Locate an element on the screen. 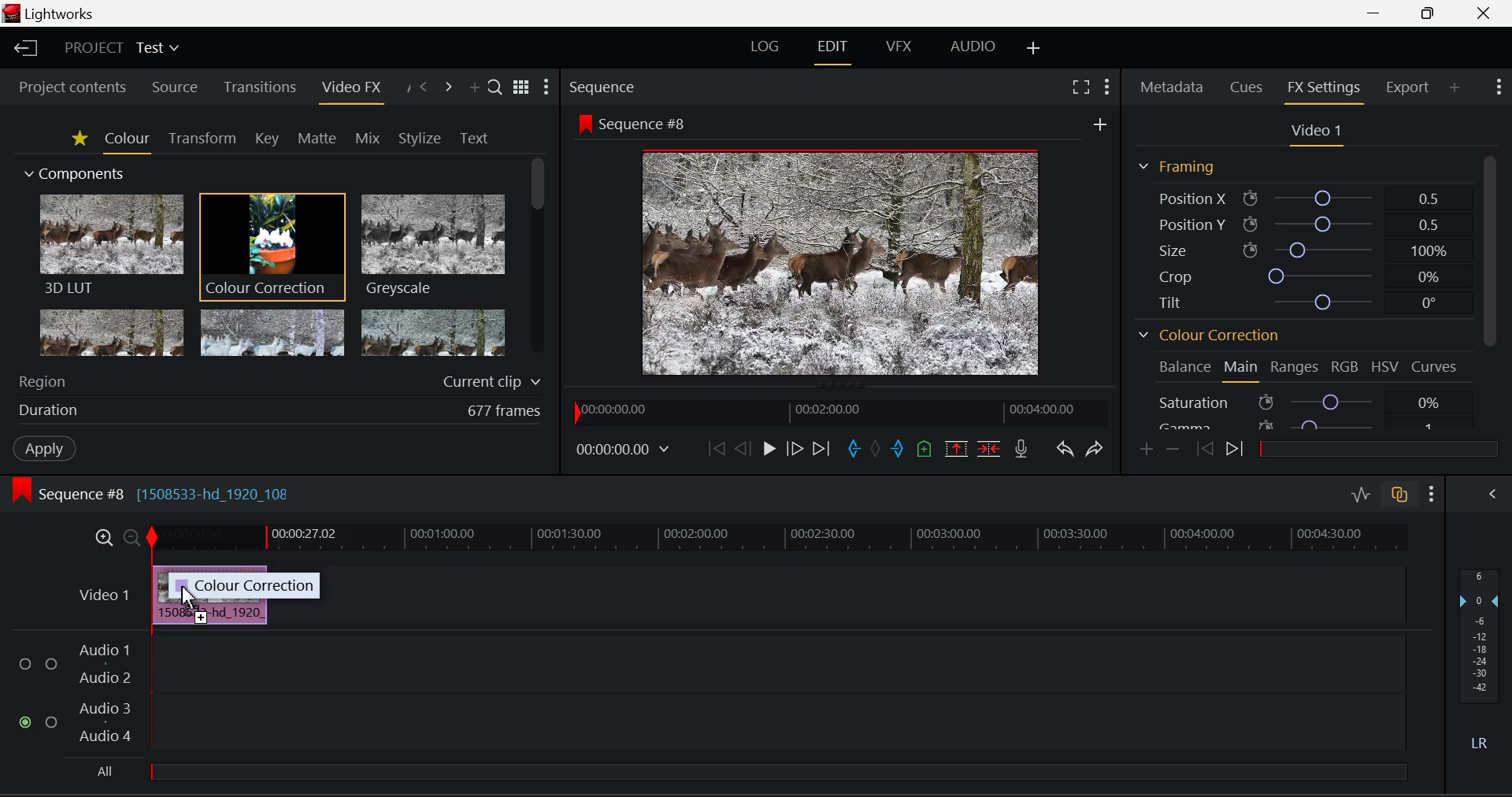 The image size is (1512, 797). Clip Inserted is located at coordinates (209, 615).